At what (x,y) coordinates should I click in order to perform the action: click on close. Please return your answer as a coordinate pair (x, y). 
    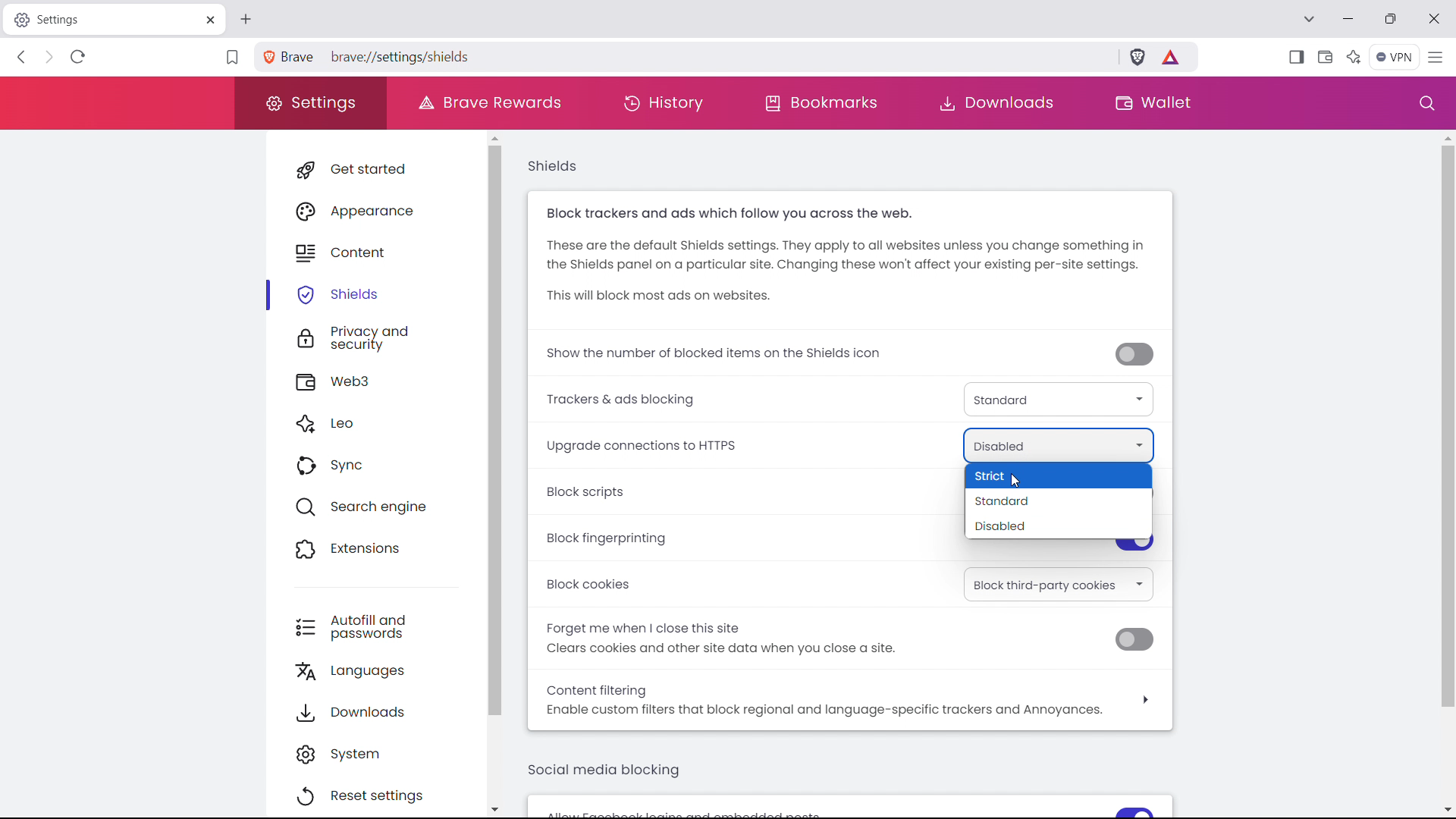
    Looking at the image, I should click on (1432, 18).